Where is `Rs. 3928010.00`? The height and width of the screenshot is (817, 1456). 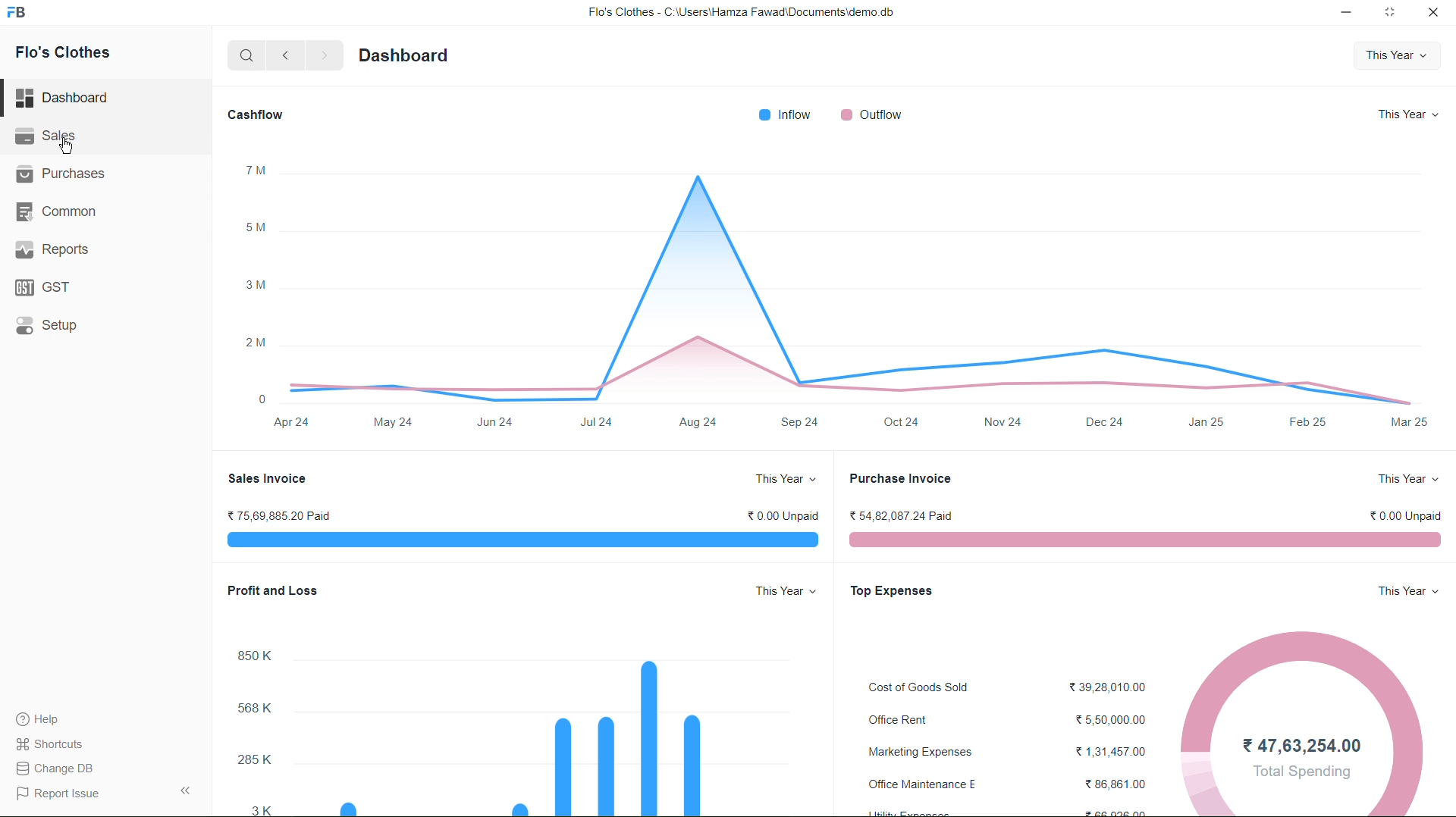 Rs. 3928010.00 is located at coordinates (1106, 684).